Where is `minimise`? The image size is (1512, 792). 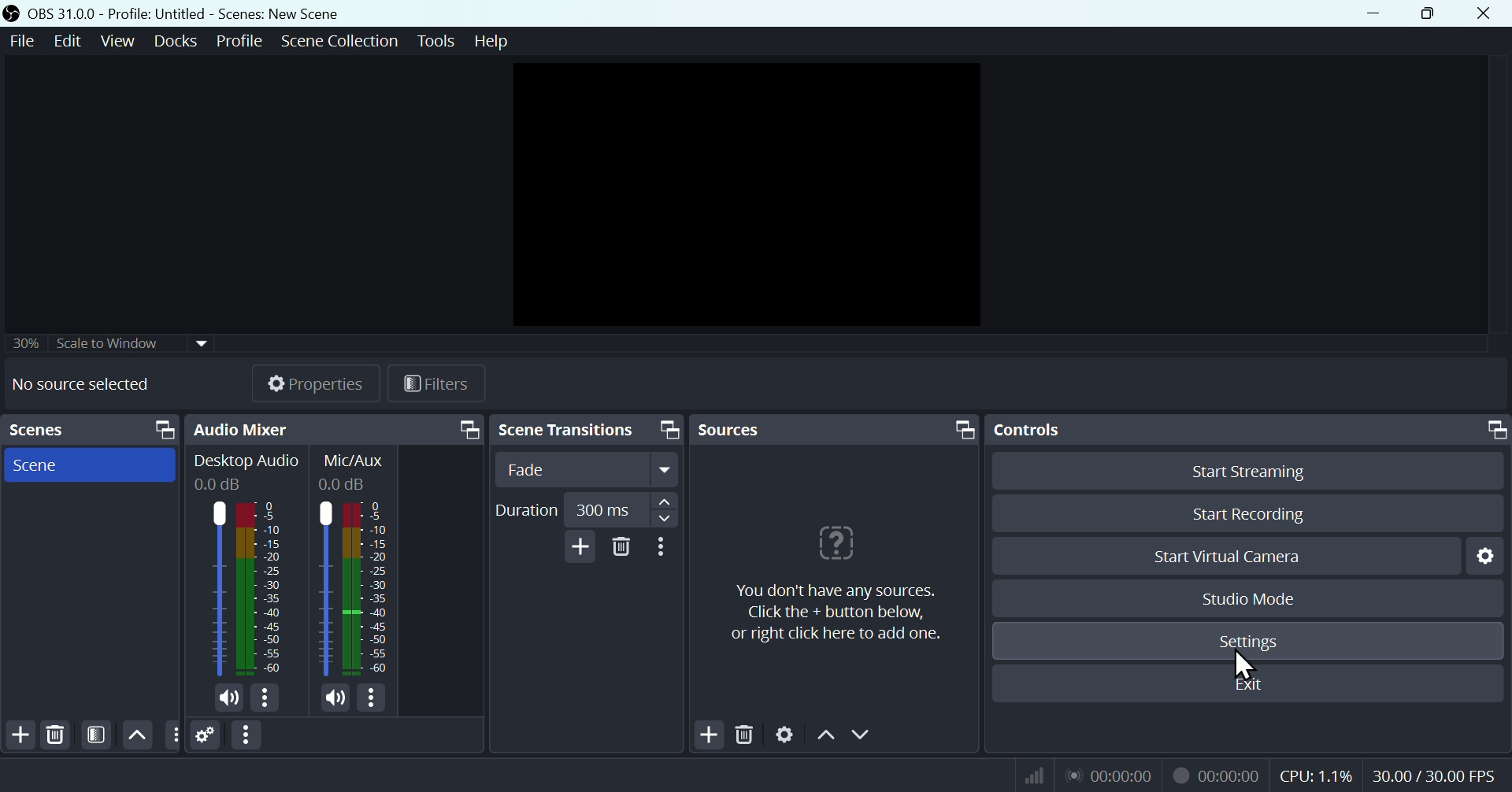 minimise is located at coordinates (1368, 13).